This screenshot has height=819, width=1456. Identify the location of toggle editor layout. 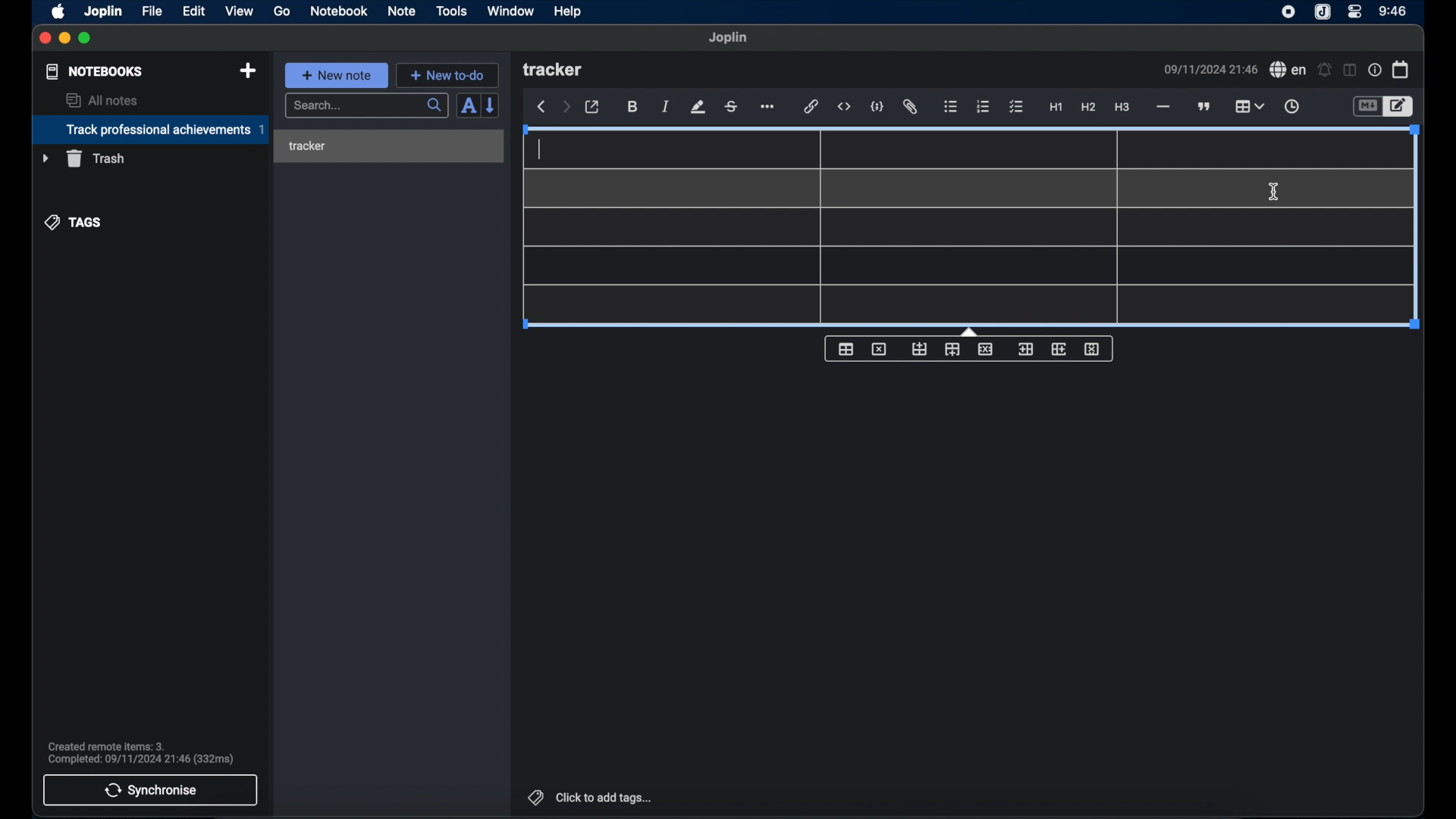
(1348, 71).